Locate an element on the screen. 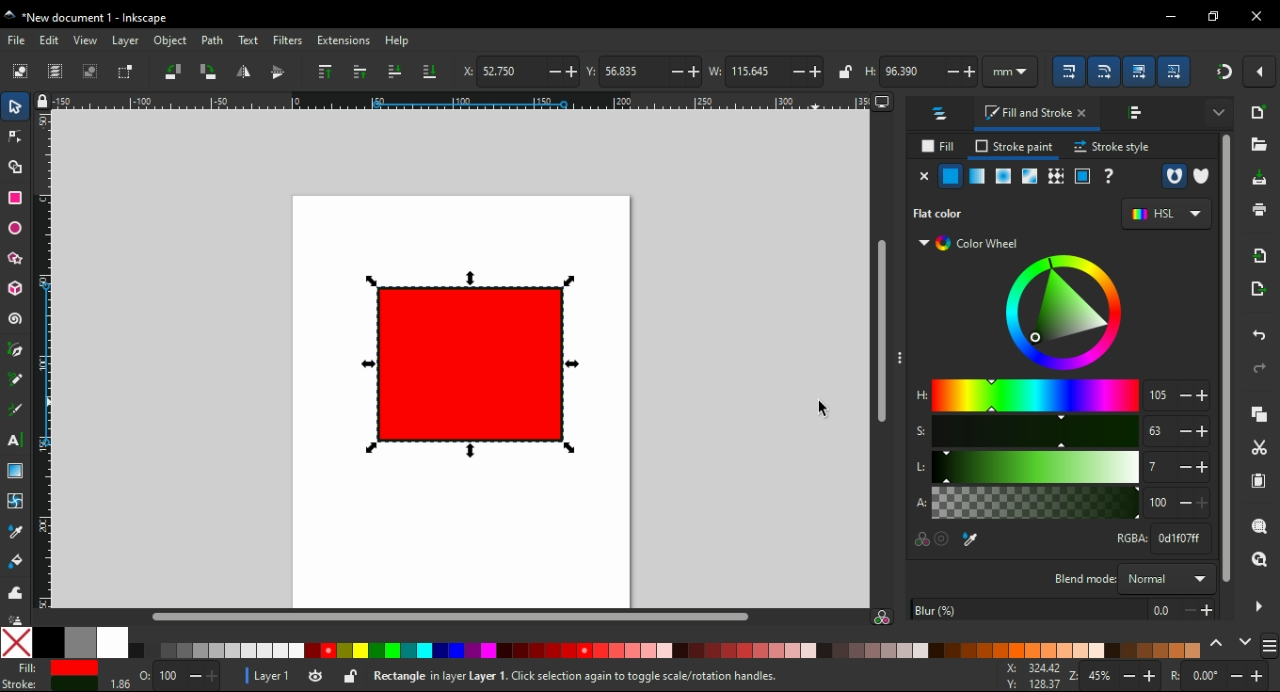 Image resolution: width=1280 pixels, height=692 pixels. lower is located at coordinates (395, 72).